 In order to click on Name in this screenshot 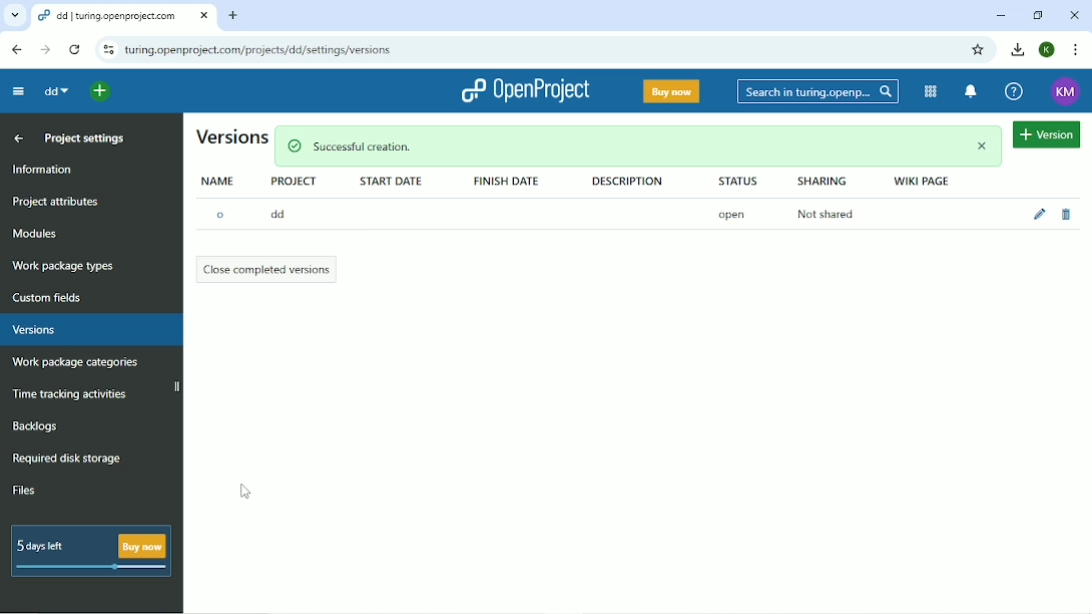, I will do `click(219, 180)`.